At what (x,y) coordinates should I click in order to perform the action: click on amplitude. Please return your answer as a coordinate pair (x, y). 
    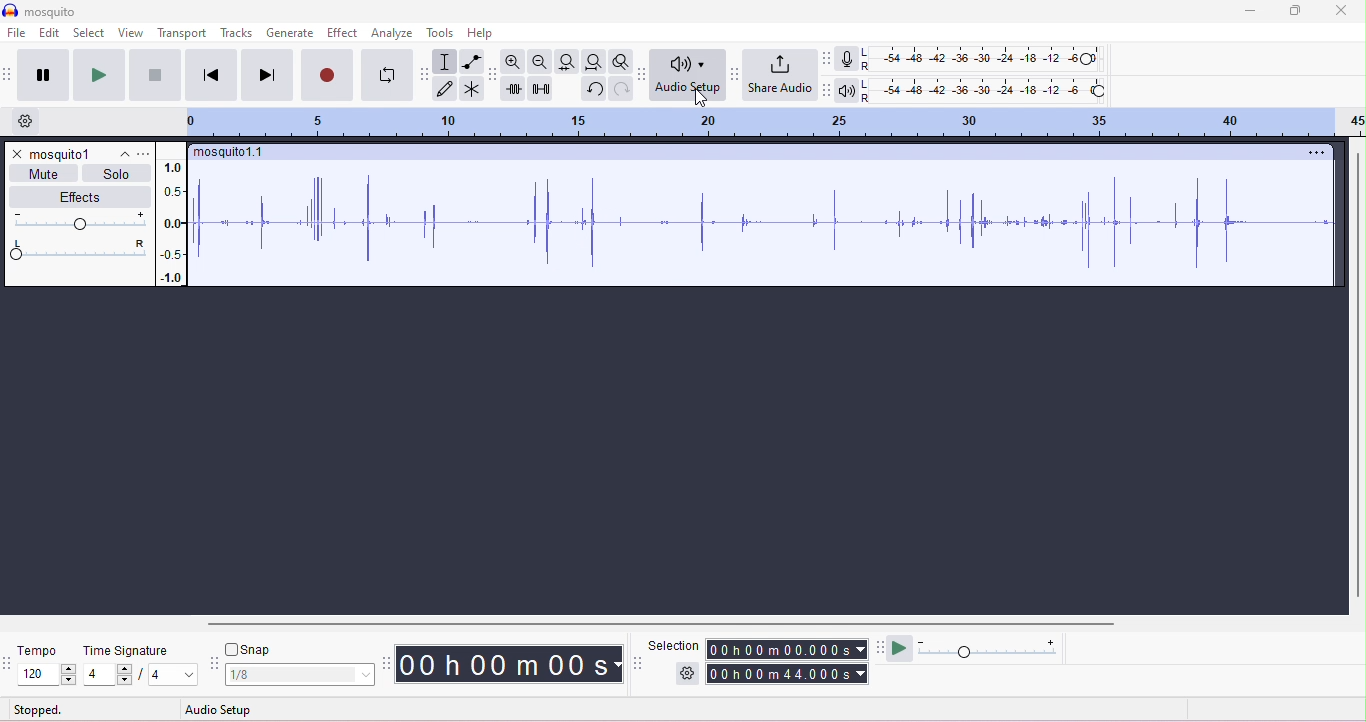
    Looking at the image, I should click on (174, 222).